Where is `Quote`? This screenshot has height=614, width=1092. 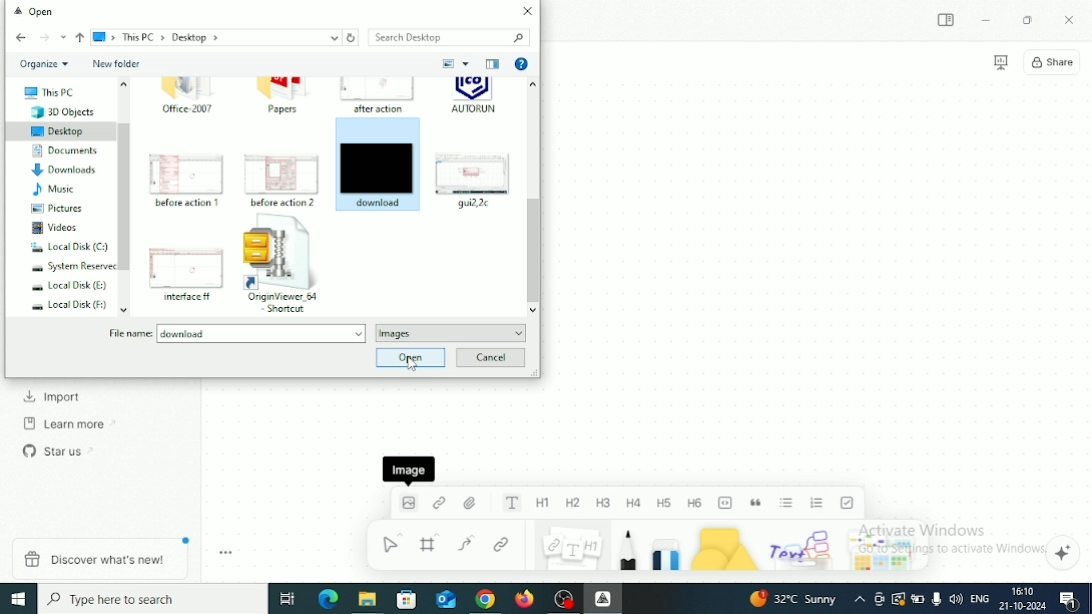 Quote is located at coordinates (757, 503).